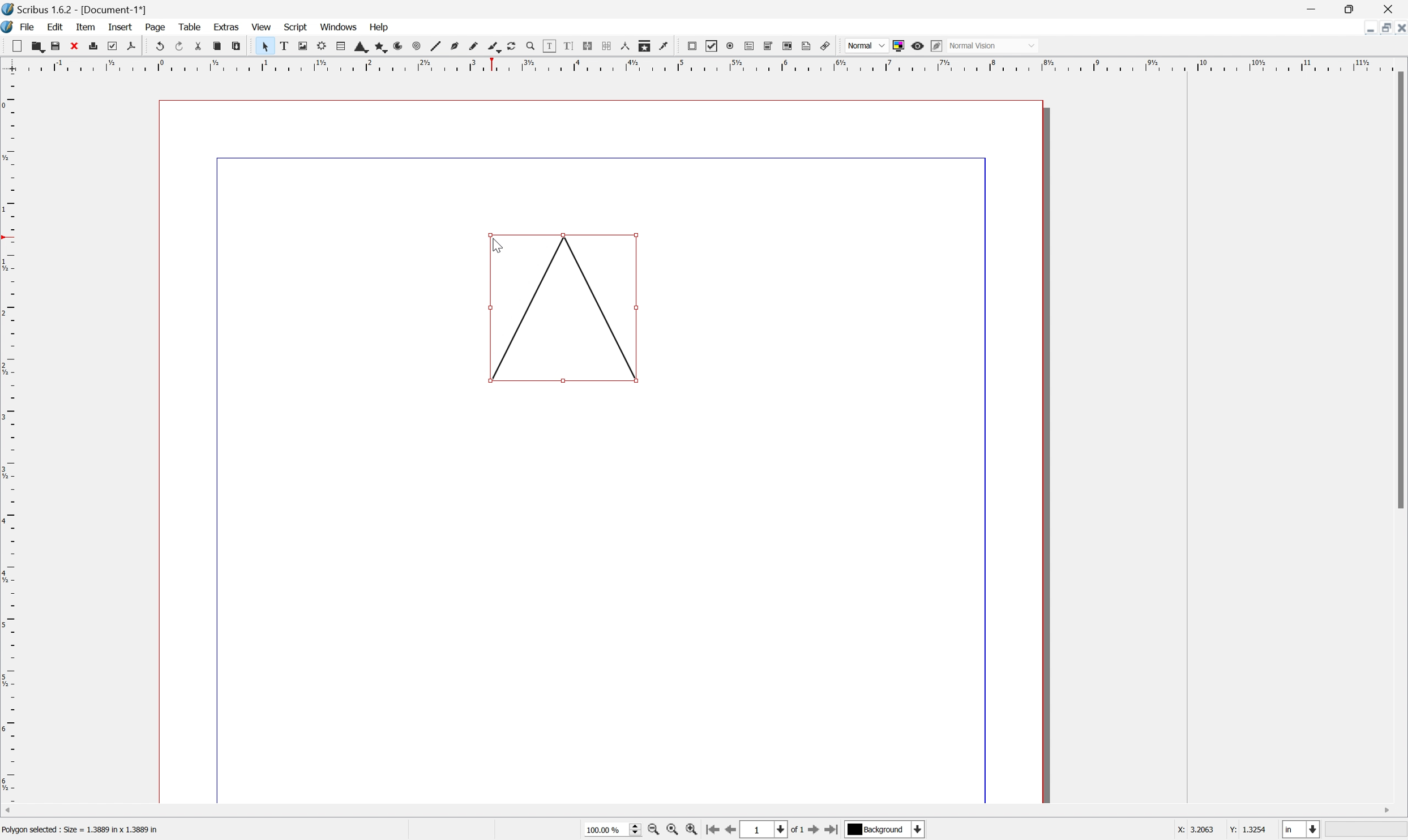 This screenshot has width=1408, height=840. Describe the element at coordinates (9, 439) in the screenshot. I see `Scale` at that location.